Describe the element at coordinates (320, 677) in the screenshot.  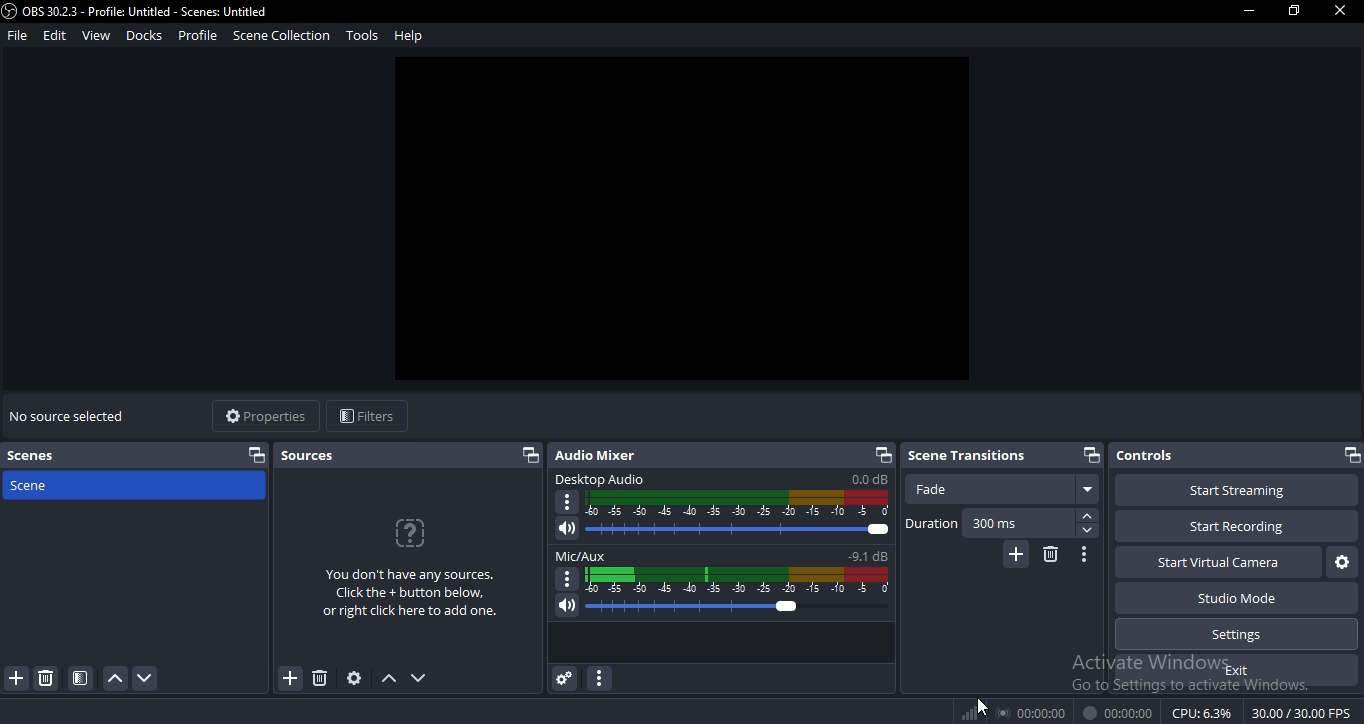
I see `delete` at that location.